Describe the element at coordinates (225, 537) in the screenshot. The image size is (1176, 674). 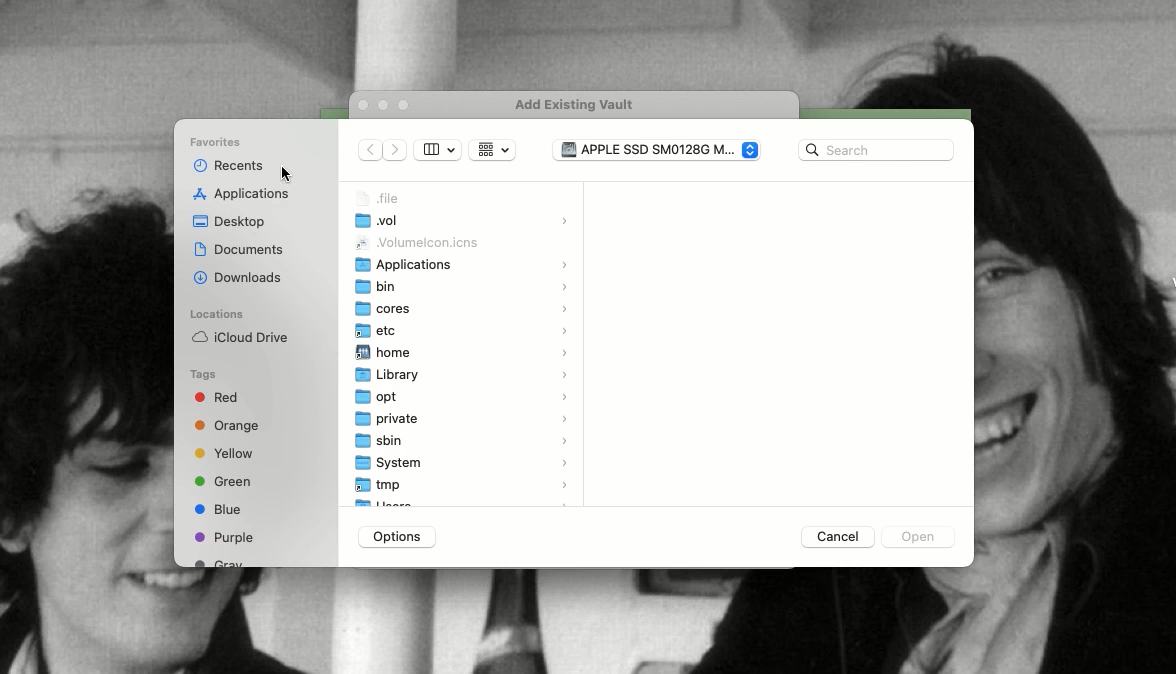
I see `Purple` at that location.